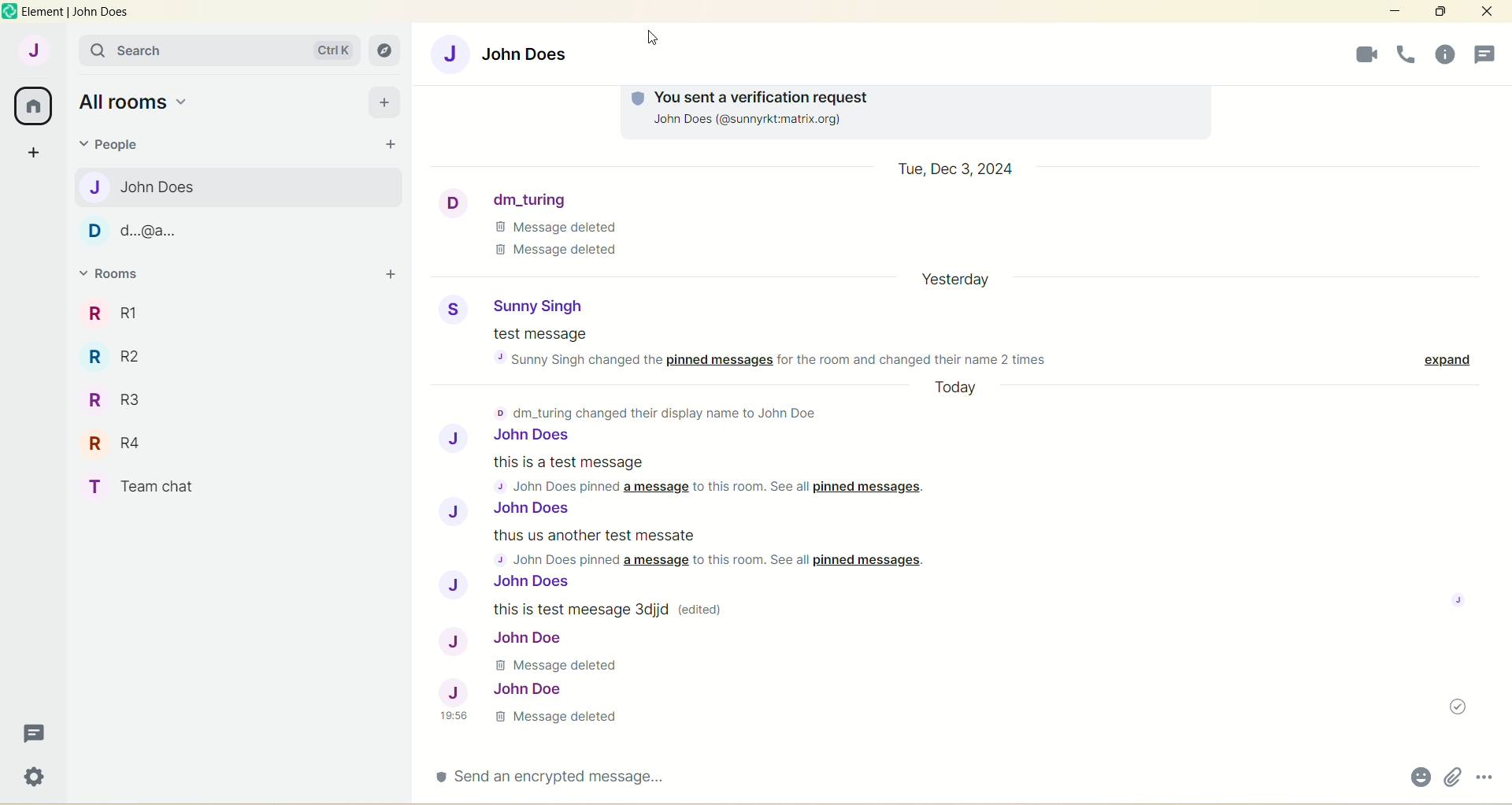  I want to click on people, so click(116, 147).